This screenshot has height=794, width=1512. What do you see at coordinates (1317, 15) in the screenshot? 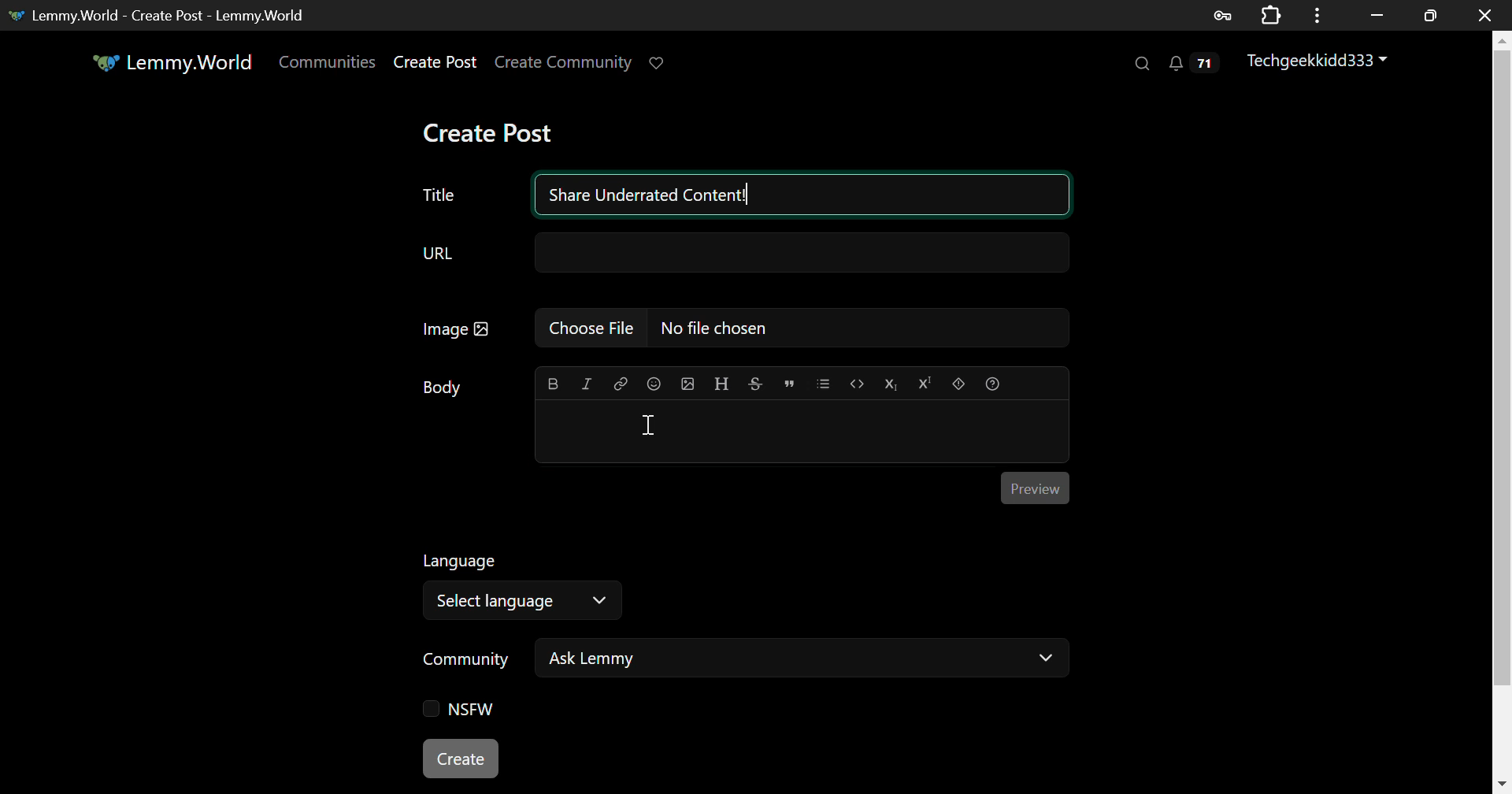
I see `Menu` at bounding box center [1317, 15].